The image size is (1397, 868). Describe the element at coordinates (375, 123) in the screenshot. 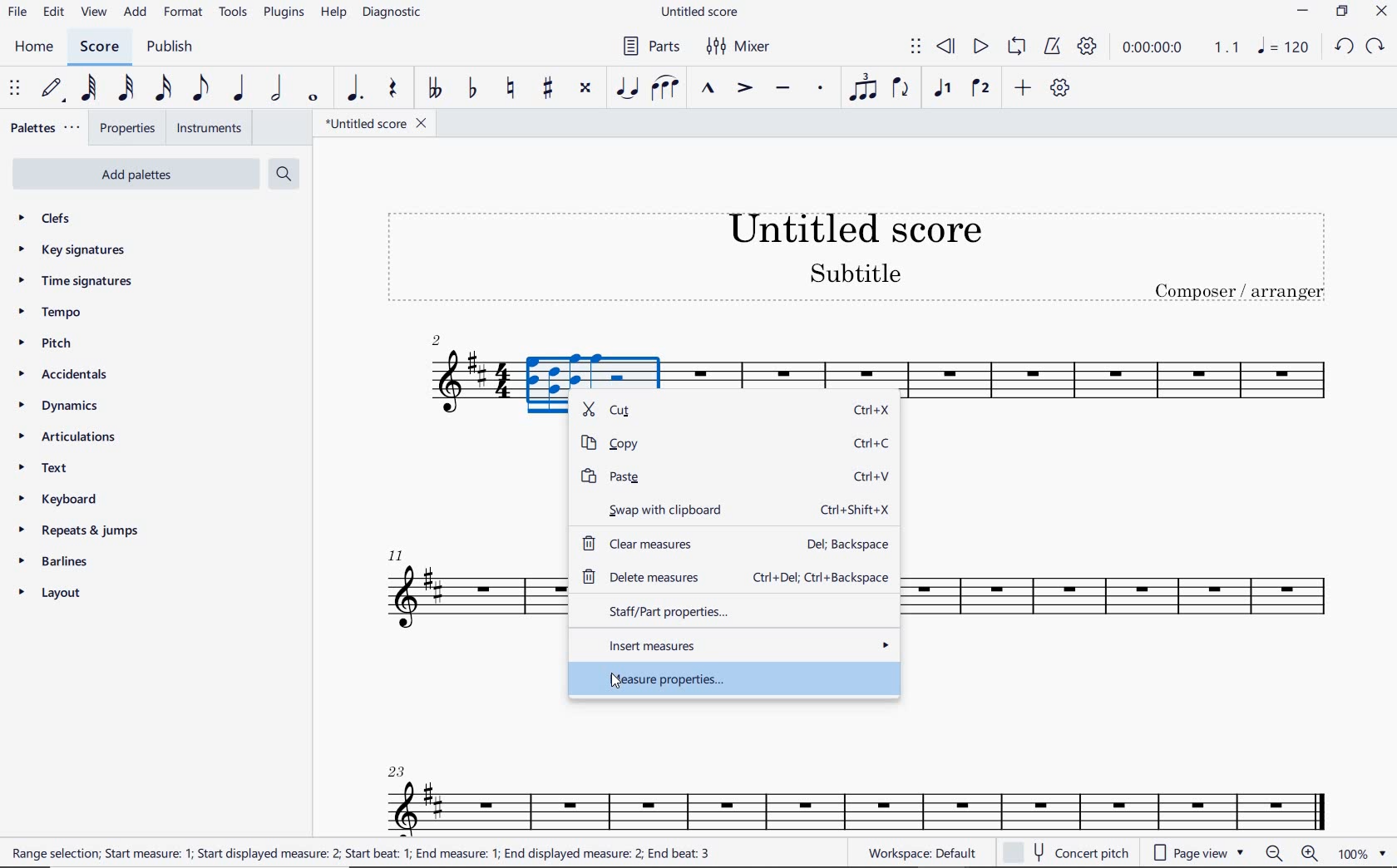

I see `FILE NAME` at that location.